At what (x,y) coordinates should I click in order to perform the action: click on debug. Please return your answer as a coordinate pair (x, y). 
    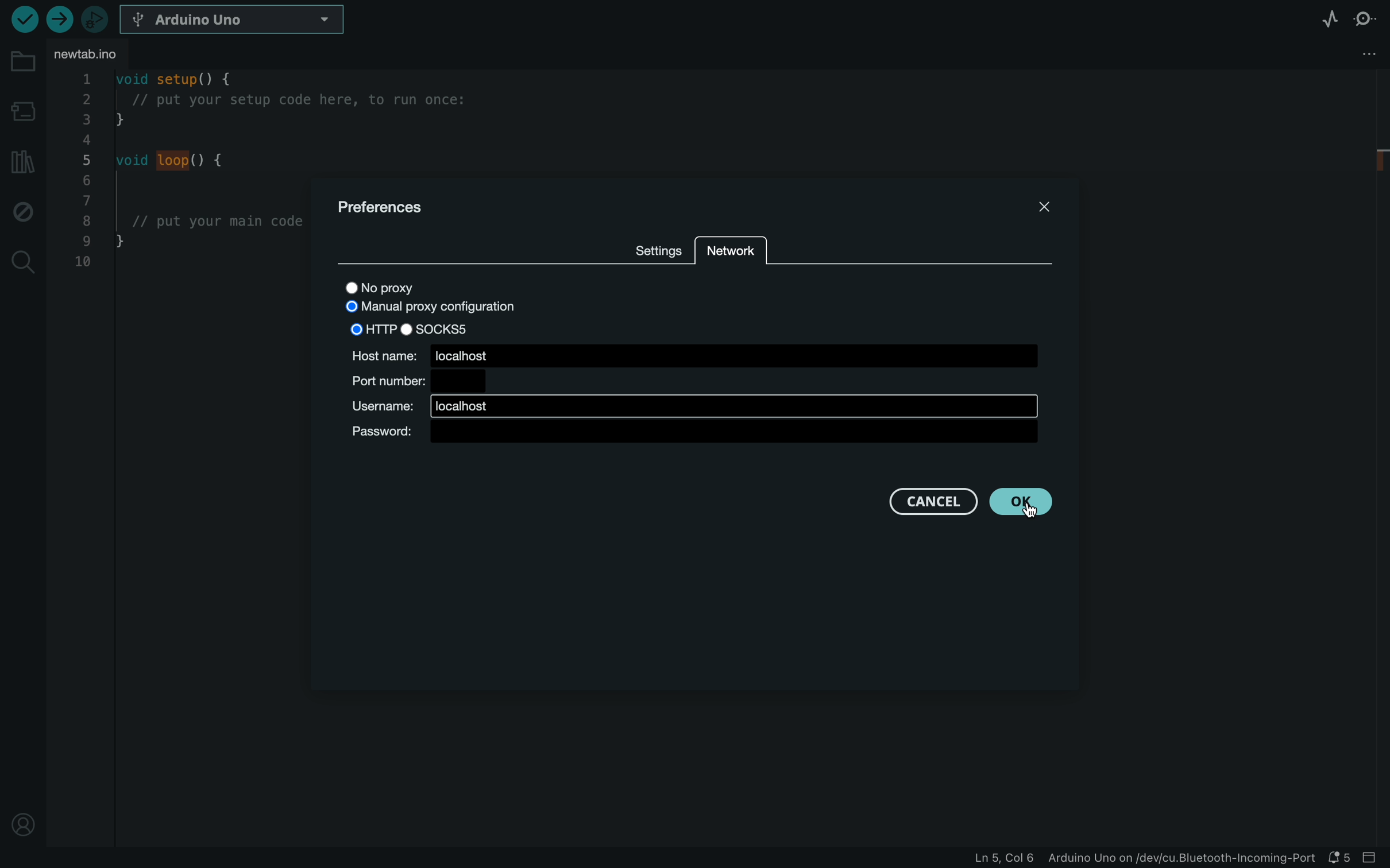
    Looking at the image, I should click on (20, 210).